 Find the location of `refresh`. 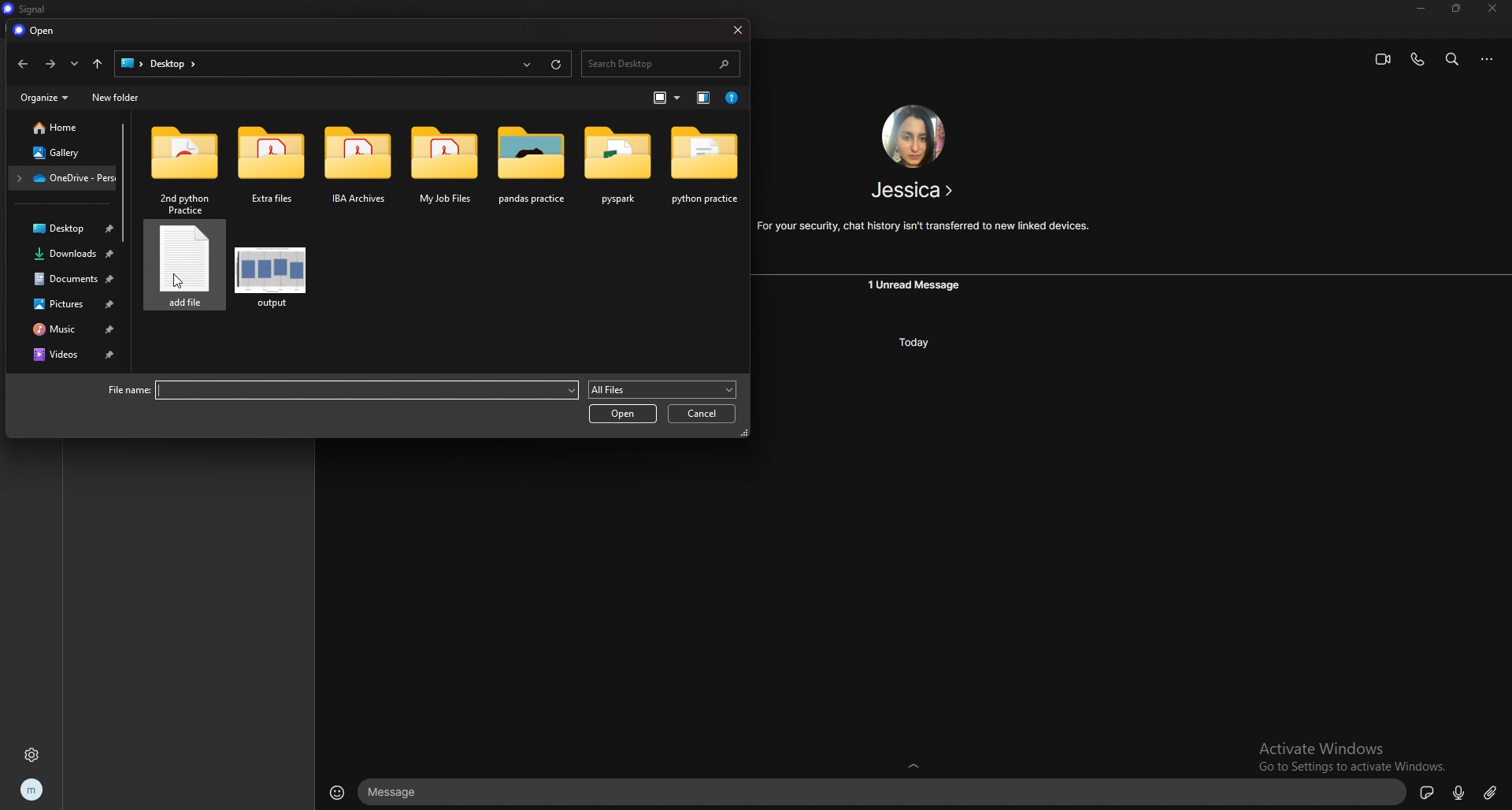

refresh is located at coordinates (558, 65).